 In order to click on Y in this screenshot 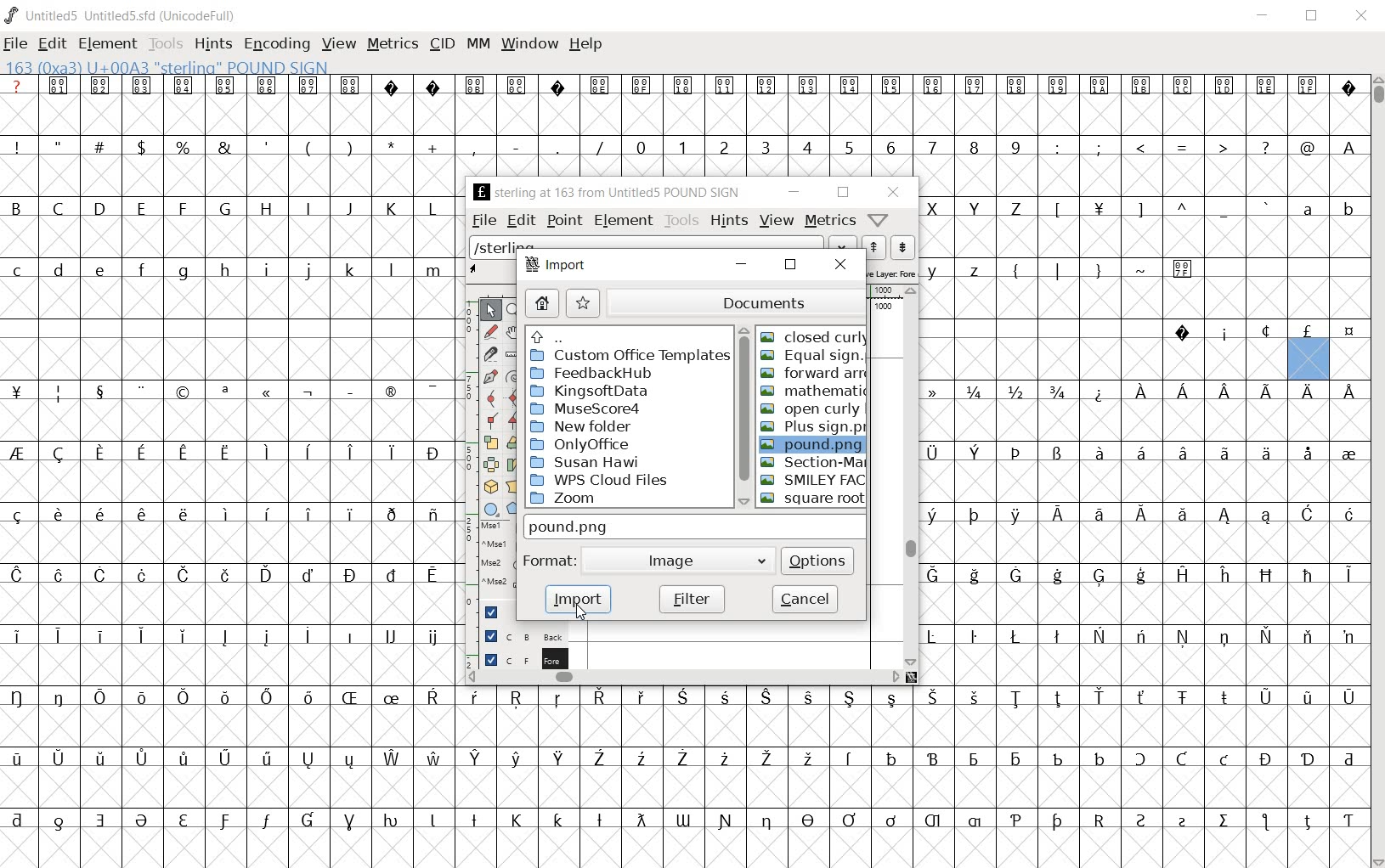, I will do `click(973, 208)`.